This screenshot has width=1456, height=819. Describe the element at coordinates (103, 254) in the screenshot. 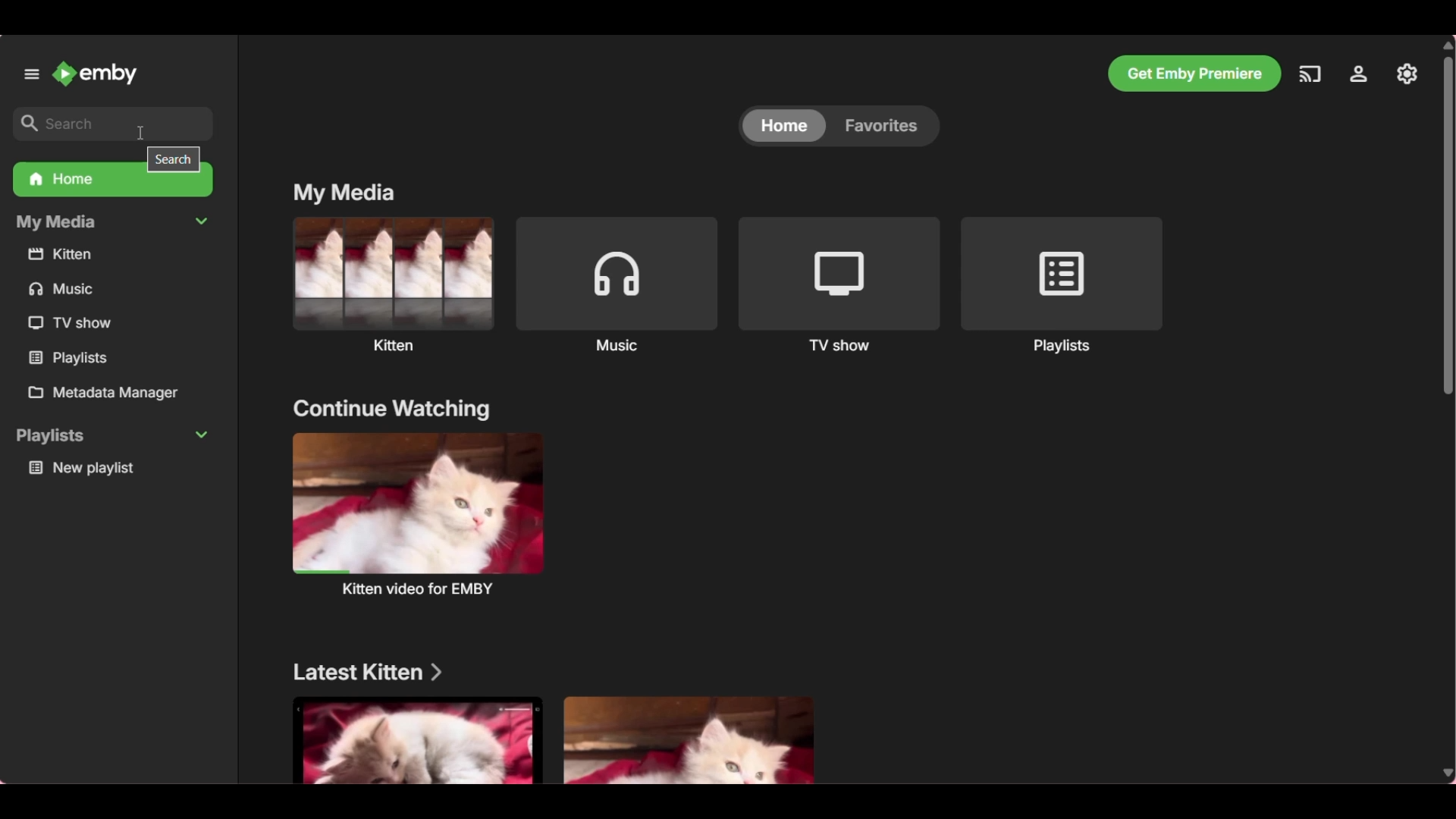

I see `kitten` at that location.